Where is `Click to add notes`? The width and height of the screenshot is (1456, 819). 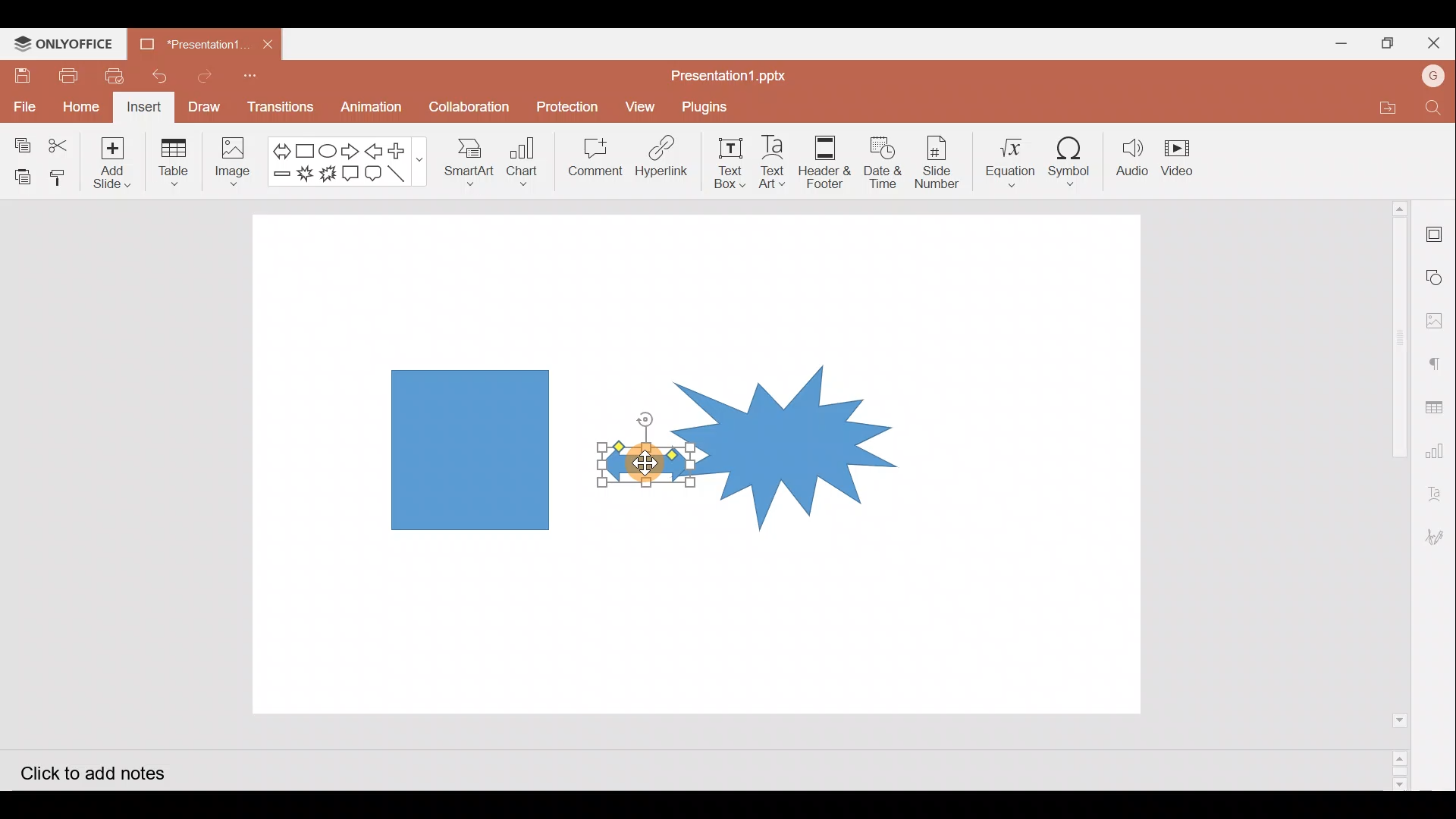 Click to add notes is located at coordinates (89, 770).